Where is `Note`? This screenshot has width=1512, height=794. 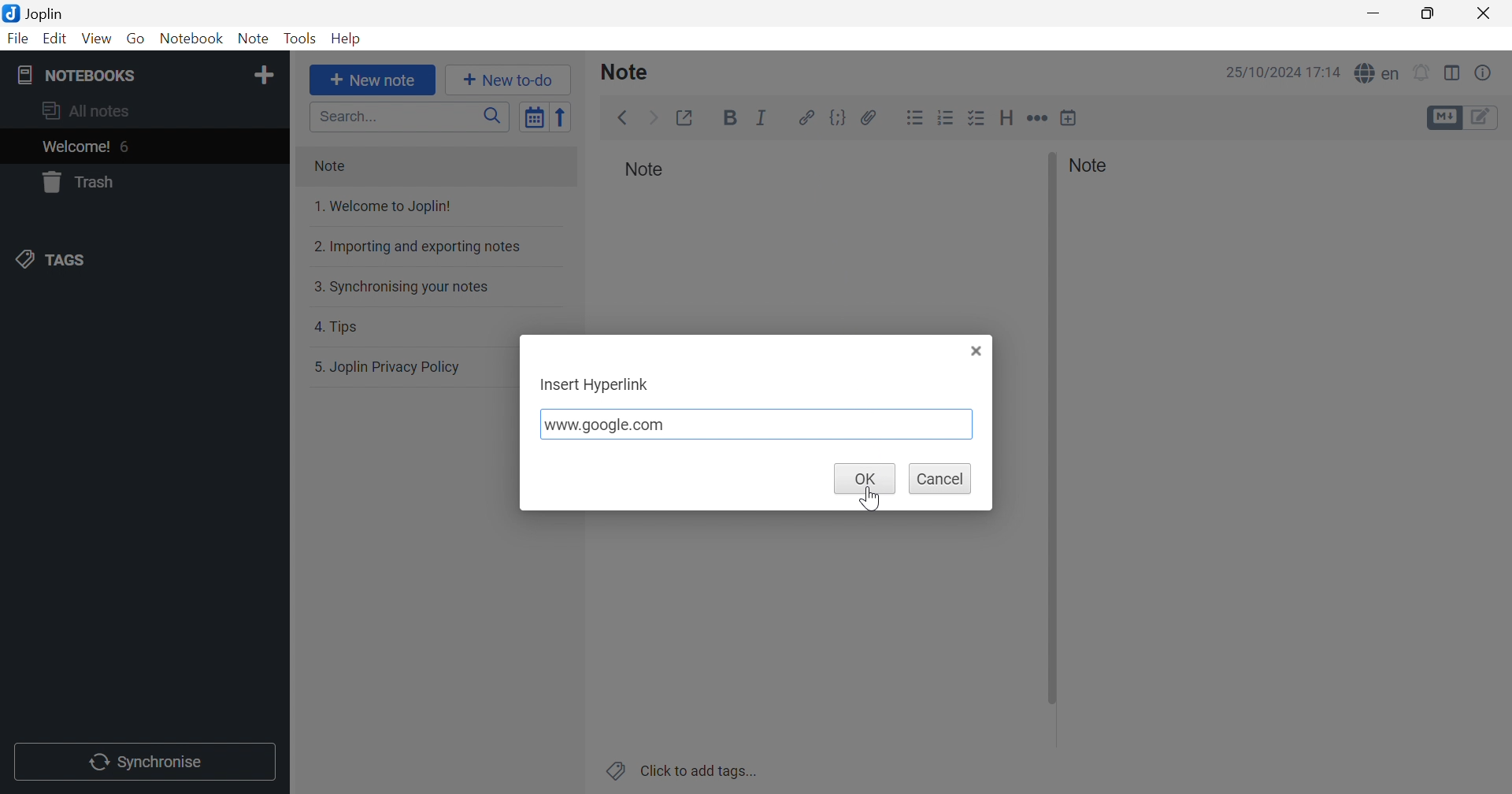
Note is located at coordinates (1094, 165).